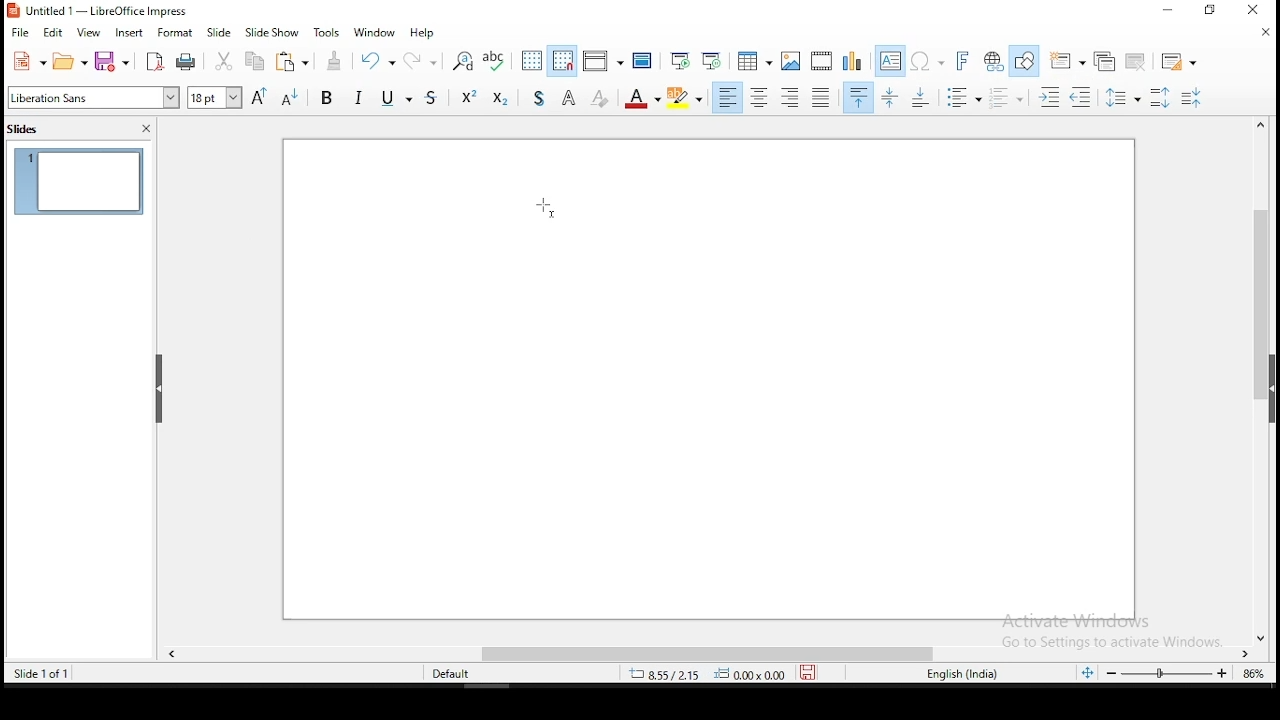 This screenshot has height=720, width=1280. Describe the element at coordinates (823, 61) in the screenshot. I see `insert video` at that location.